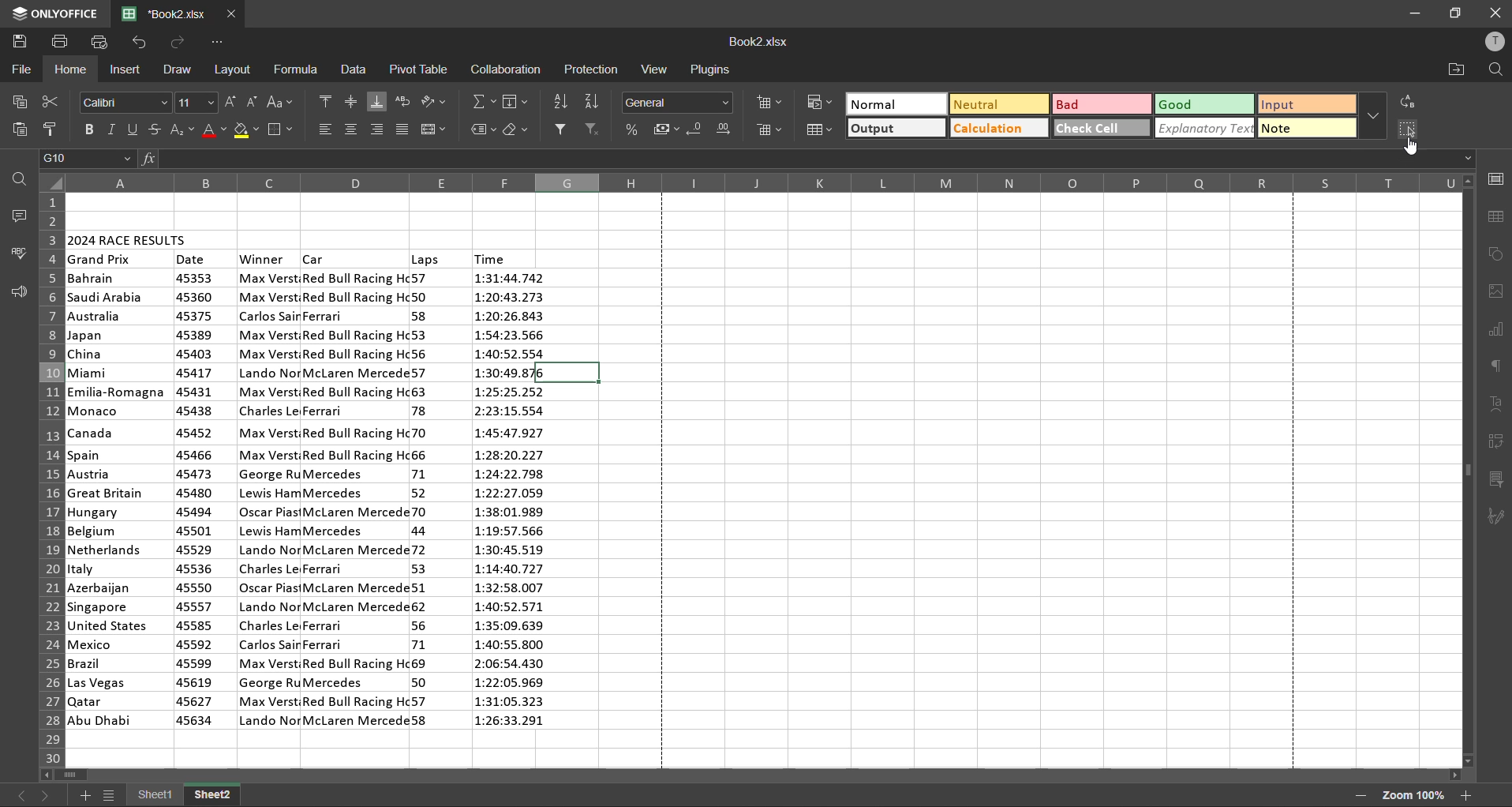 This screenshot has height=807, width=1512. I want to click on filename, so click(755, 42).